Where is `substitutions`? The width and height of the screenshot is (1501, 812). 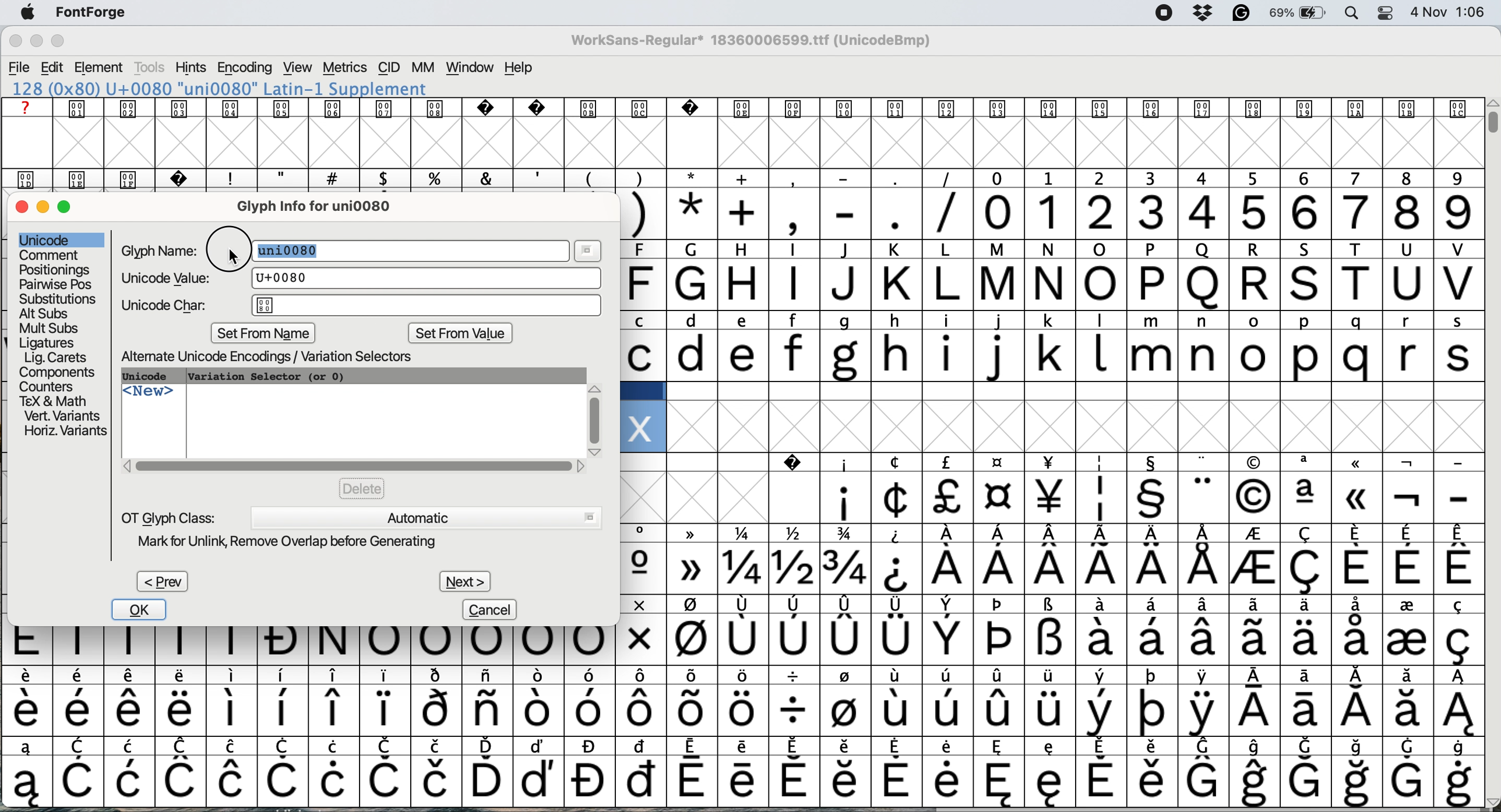
substitutions is located at coordinates (59, 299).